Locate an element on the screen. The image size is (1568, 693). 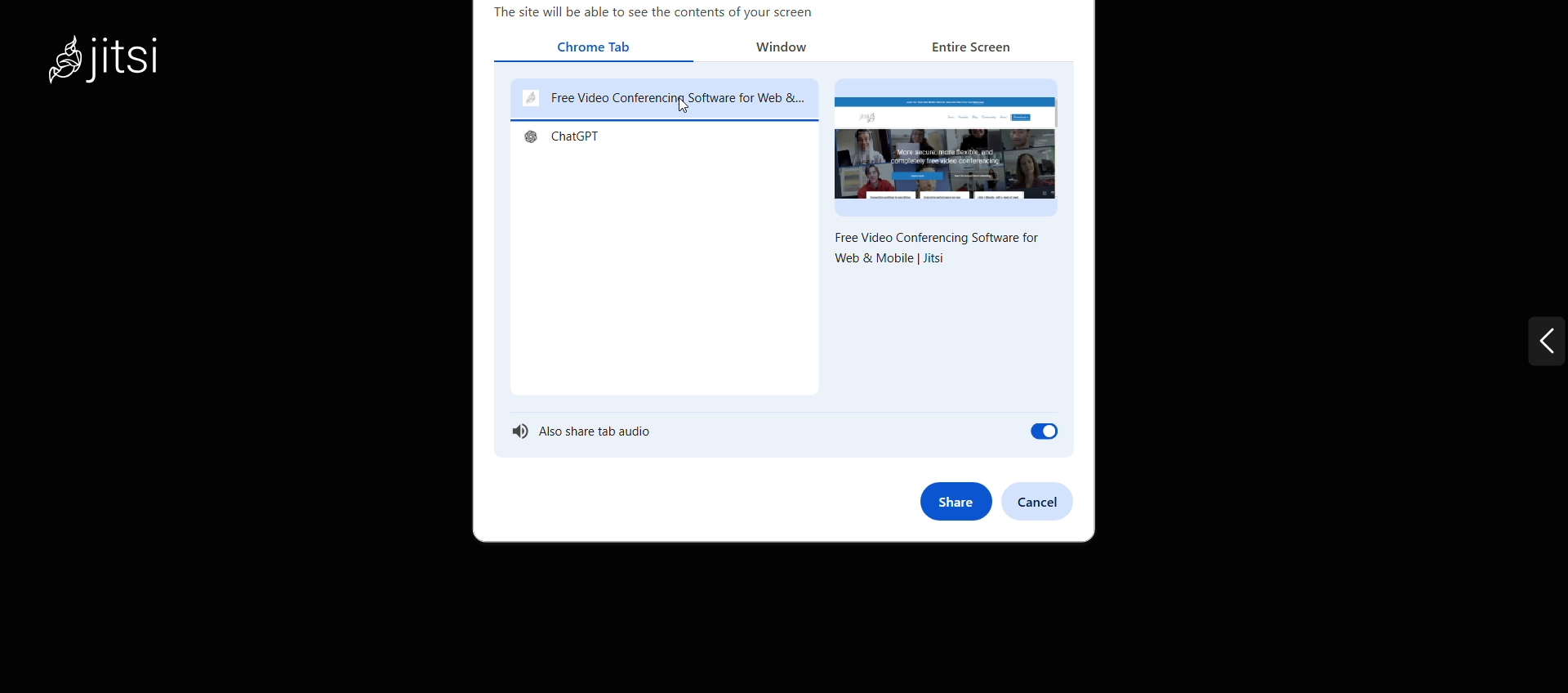
jitsi is located at coordinates (127, 69).